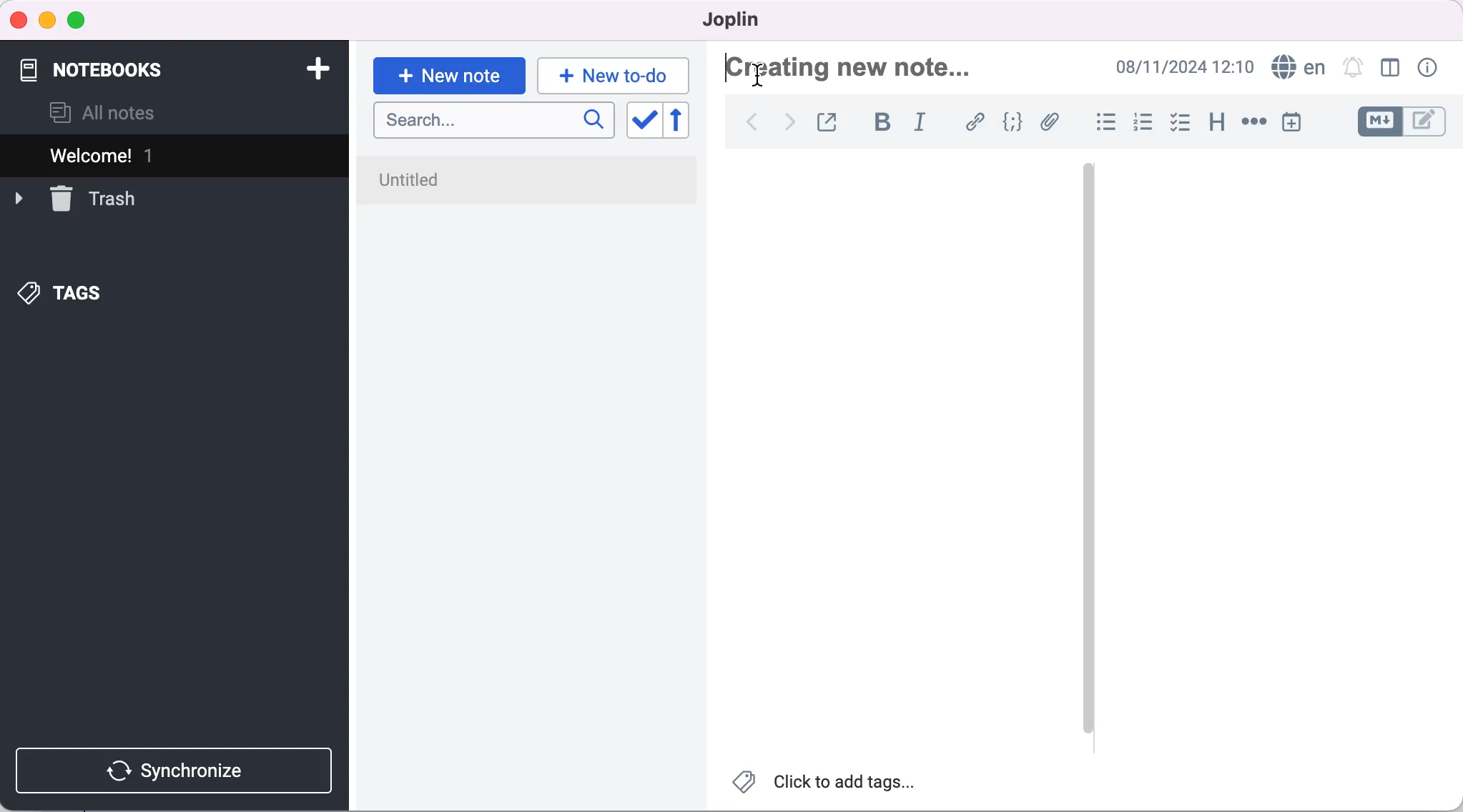 The height and width of the screenshot is (812, 1463). I want to click on toggle editor layout, so click(1387, 69).